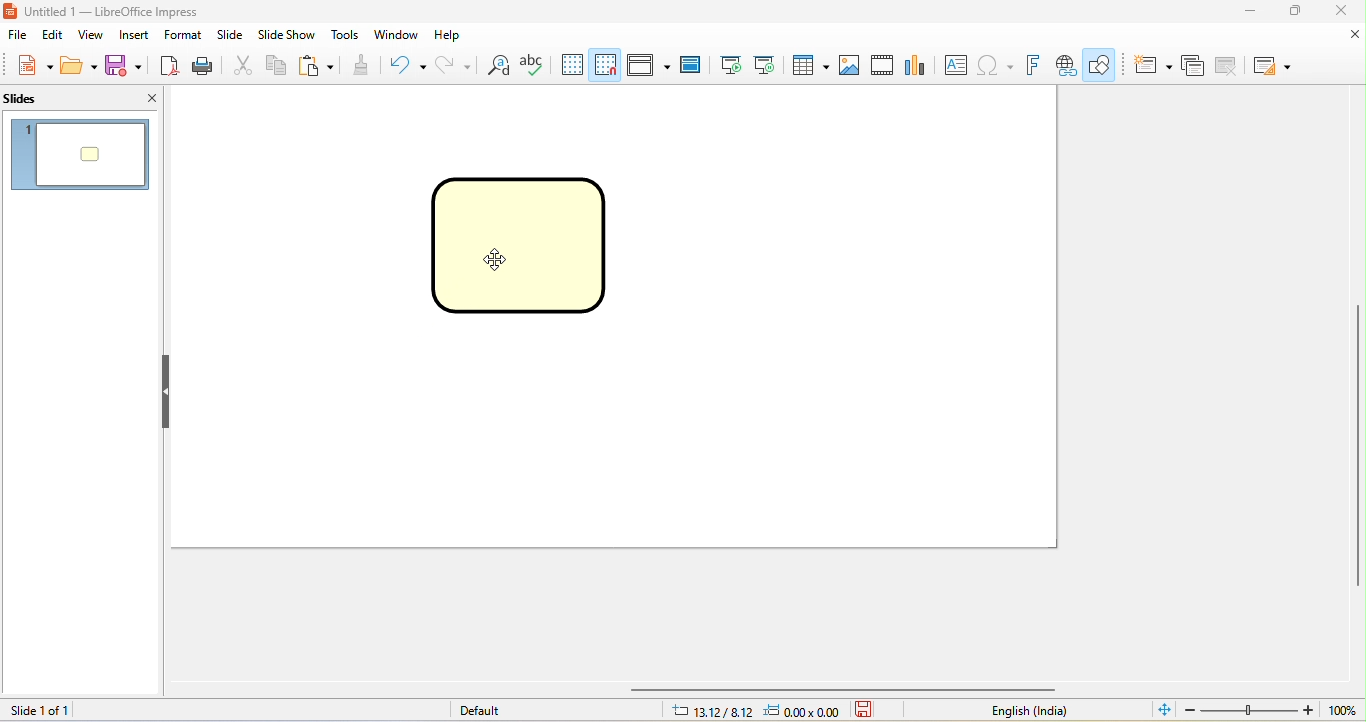 This screenshot has width=1366, height=722. What do you see at coordinates (140, 97) in the screenshot?
I see `close` at bounding box center [140, 97].